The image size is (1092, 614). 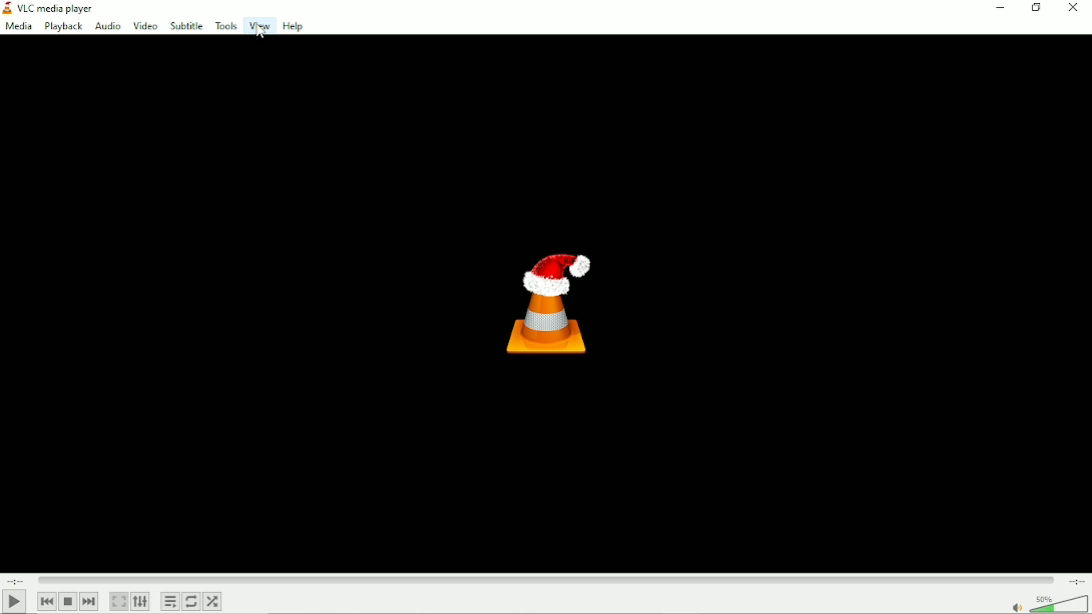 What do you see at coordinates (1046, 603) in the screenshot?
I see `Volume` at bounding box center [1046, 603].